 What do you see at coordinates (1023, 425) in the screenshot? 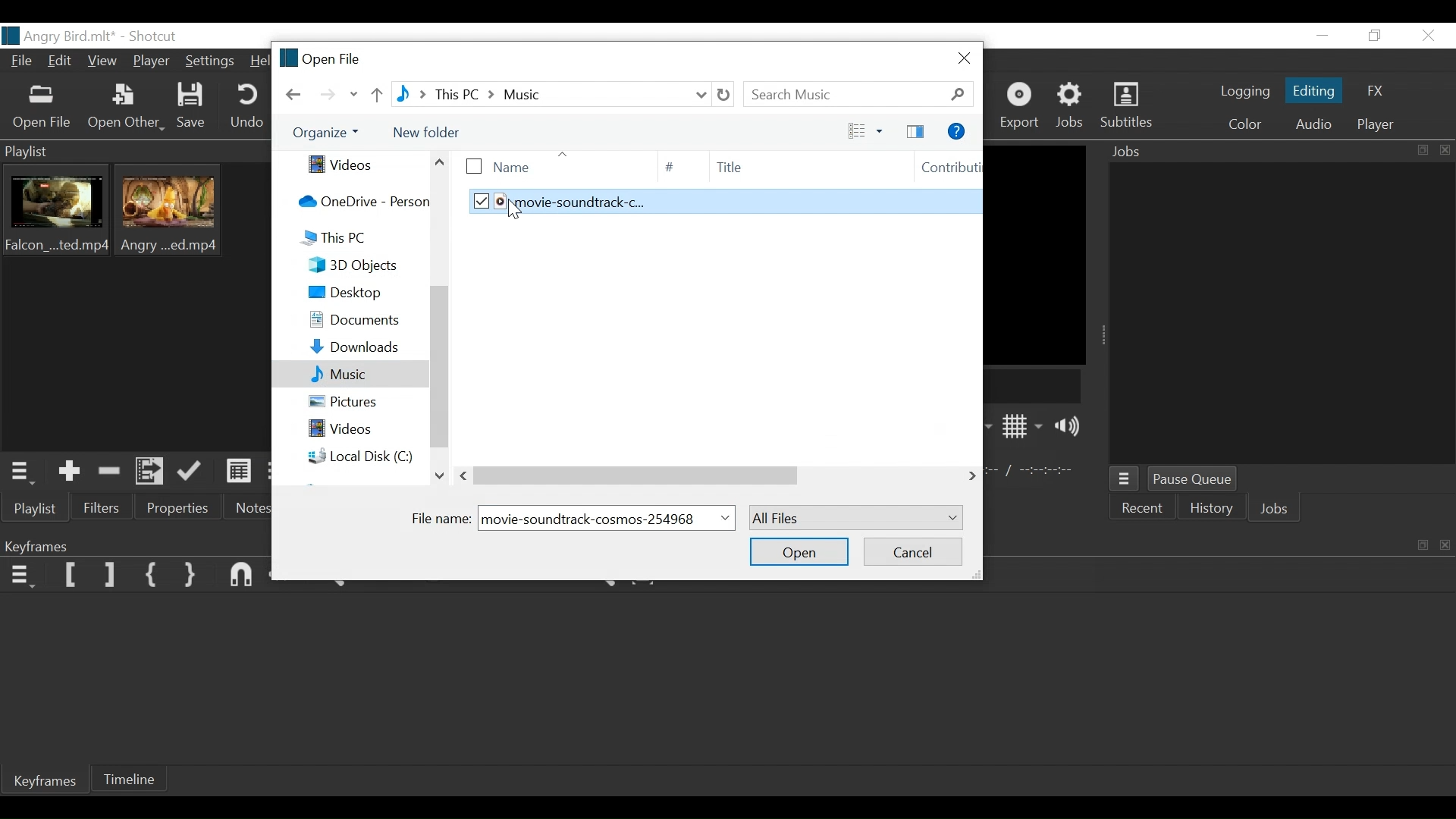
I see `Show display grid on player` at bounding box center [1023, 425].